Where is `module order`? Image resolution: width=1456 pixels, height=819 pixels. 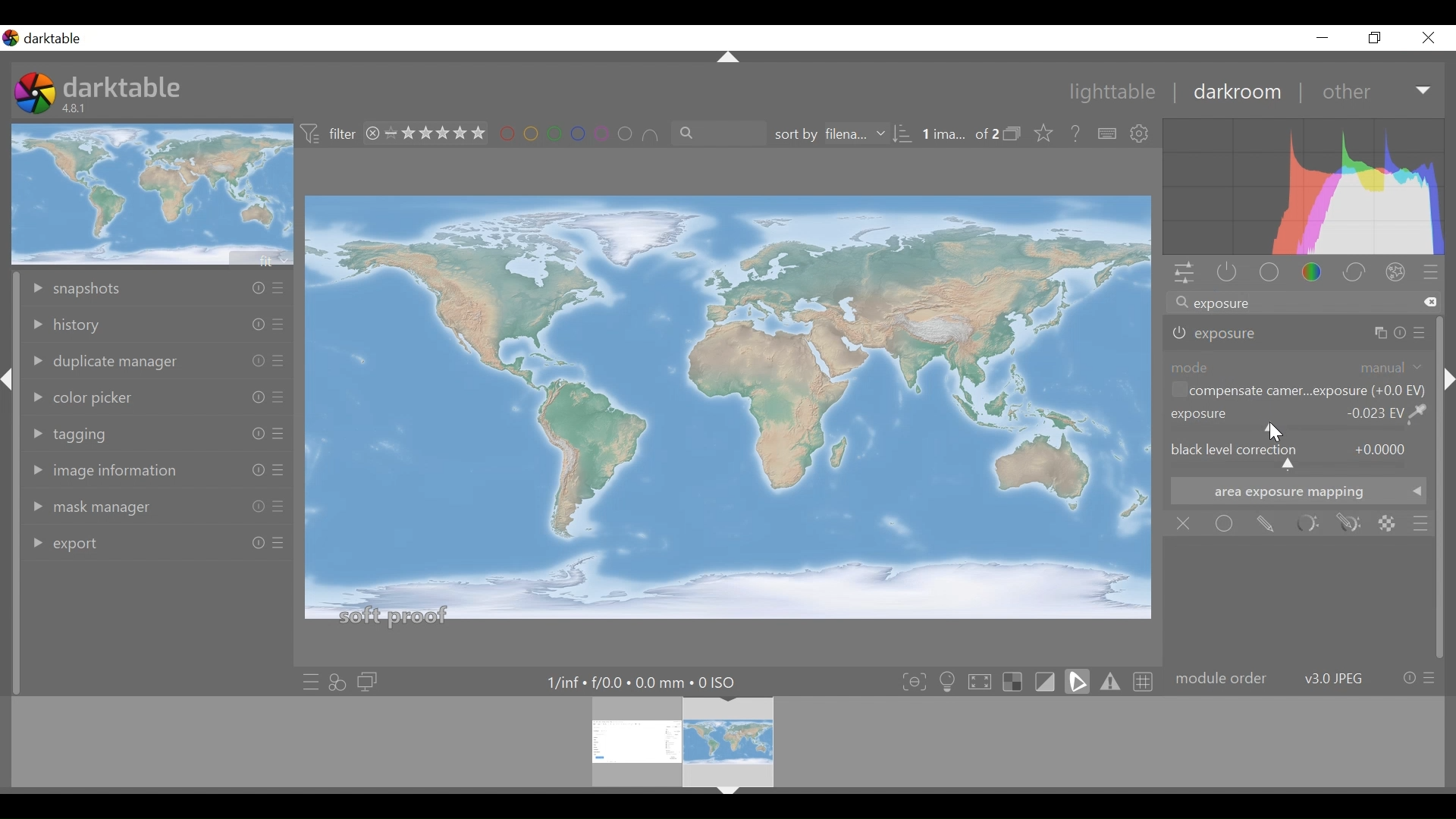 module order is located at coordinates (1304, 679).